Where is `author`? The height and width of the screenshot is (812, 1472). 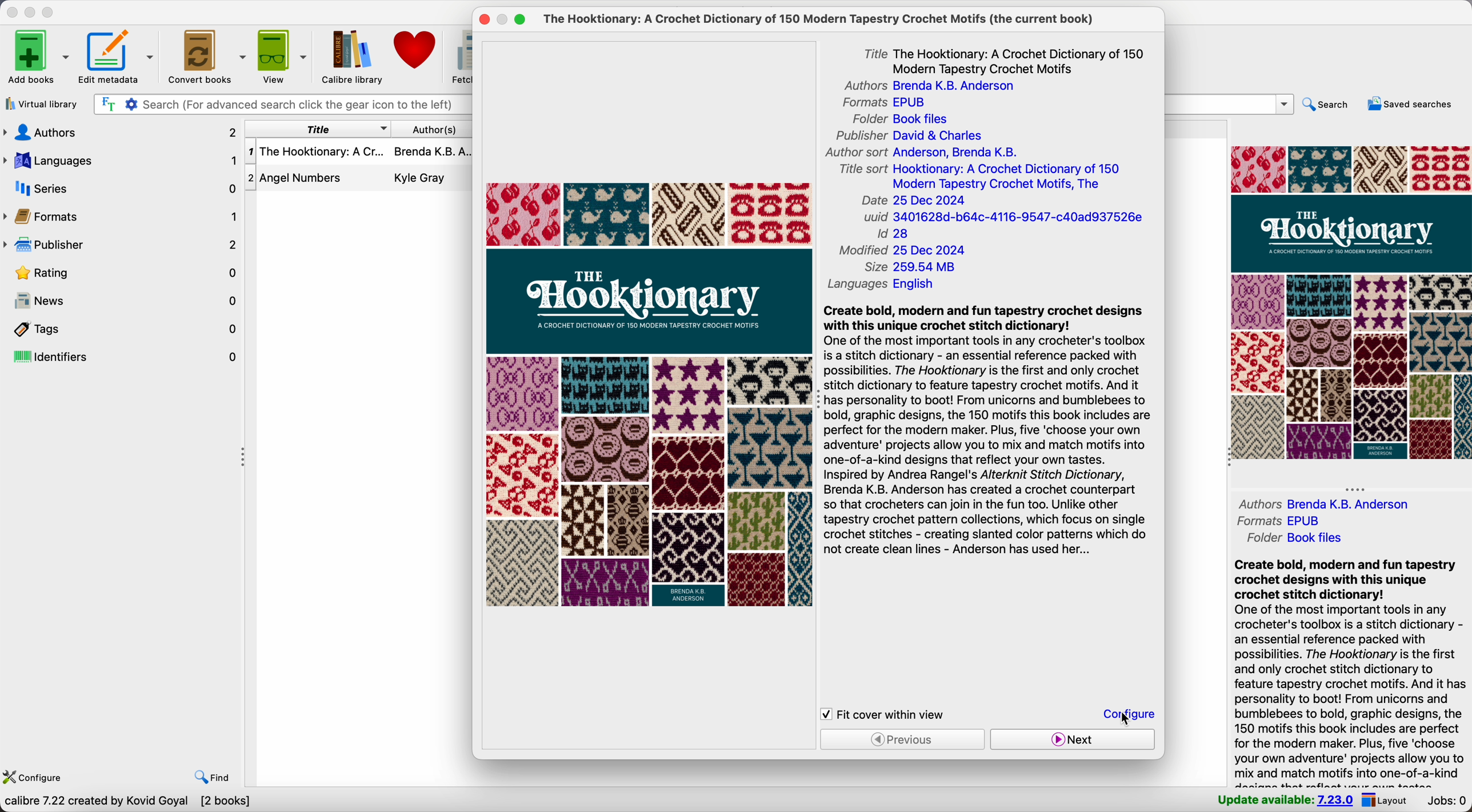 author is located at coordinates (1326, 503).